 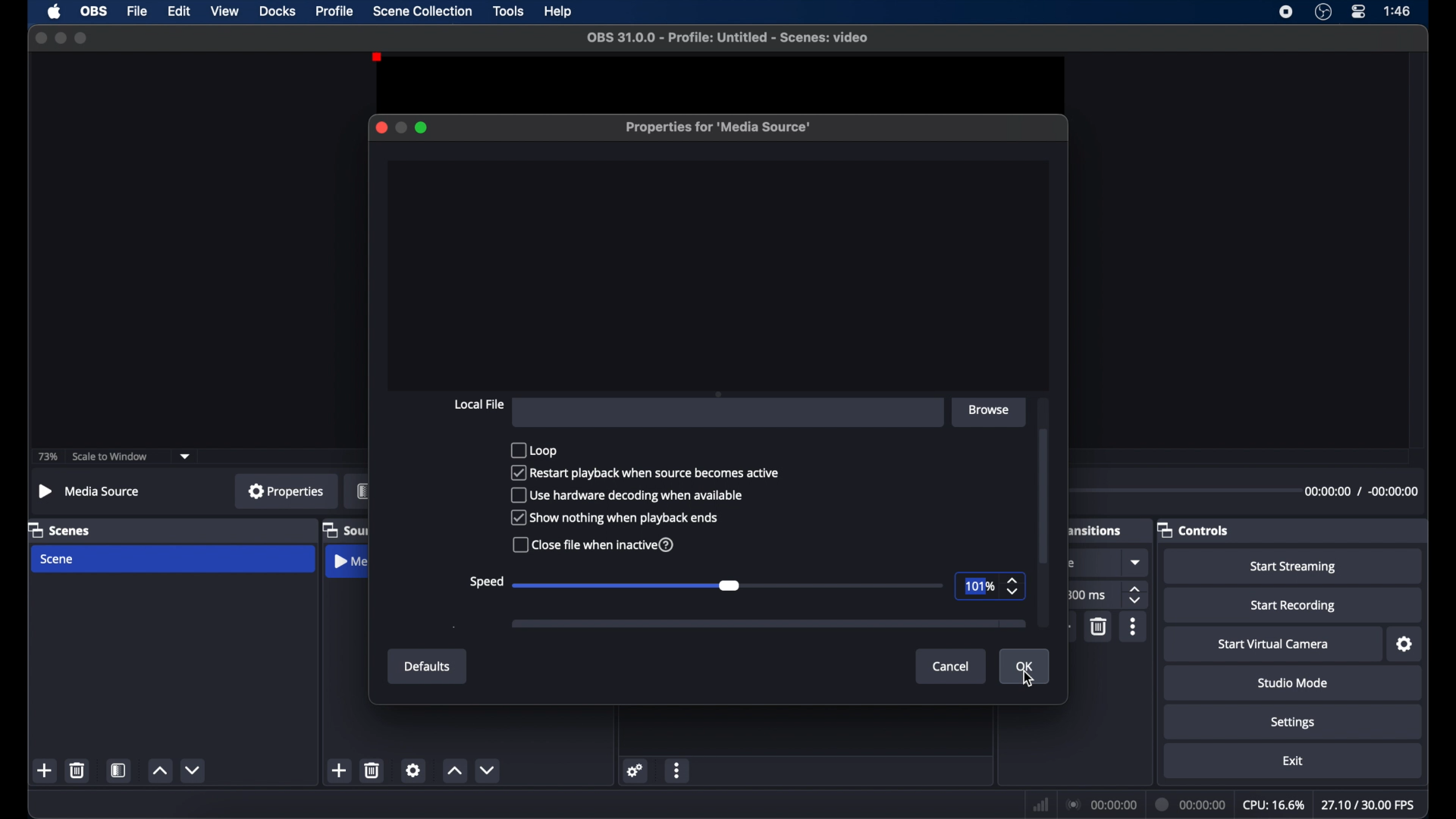 I want to click on obscure label, so click(x=345, y=531).